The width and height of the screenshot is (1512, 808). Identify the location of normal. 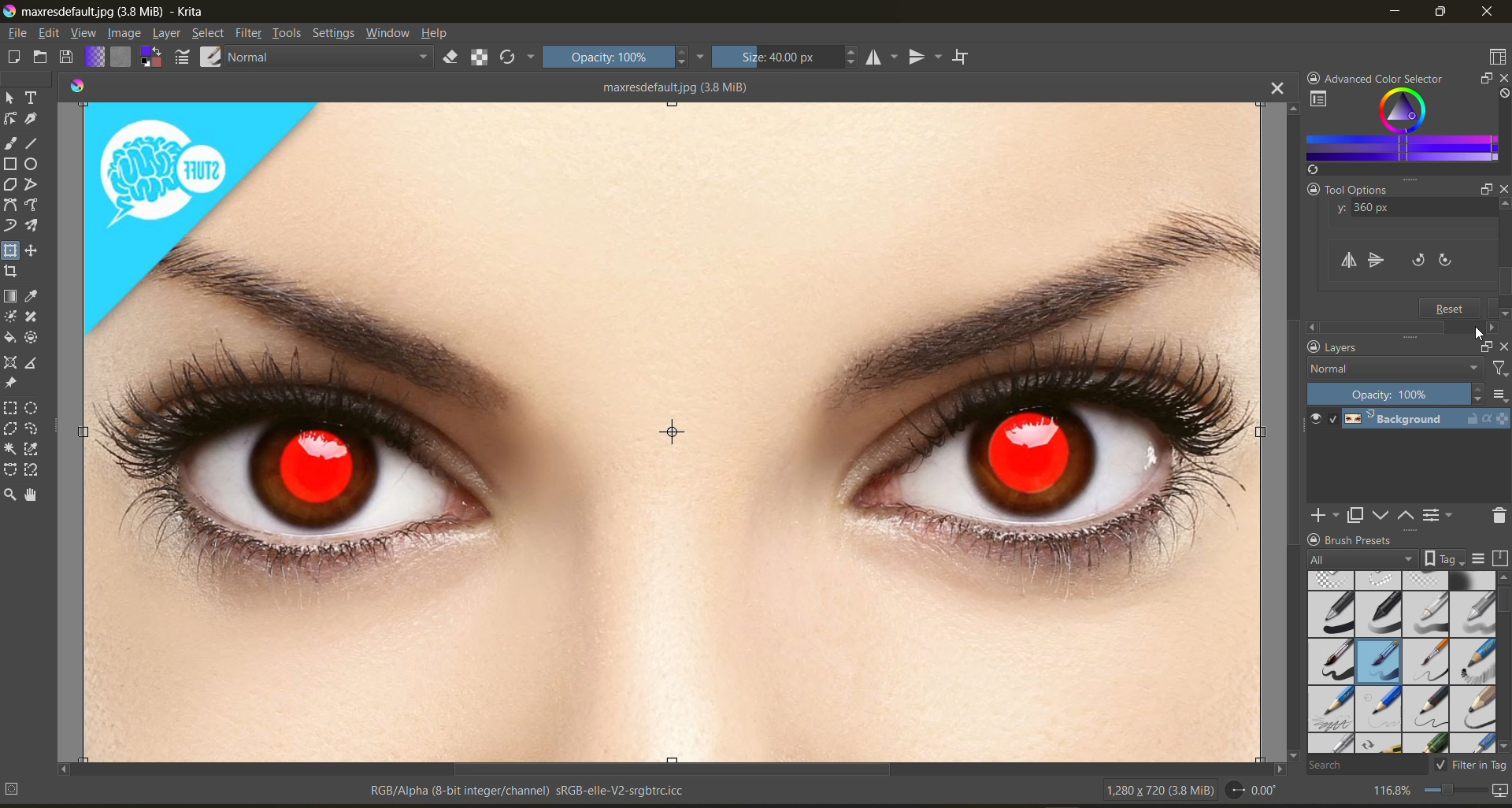
(335, 58).